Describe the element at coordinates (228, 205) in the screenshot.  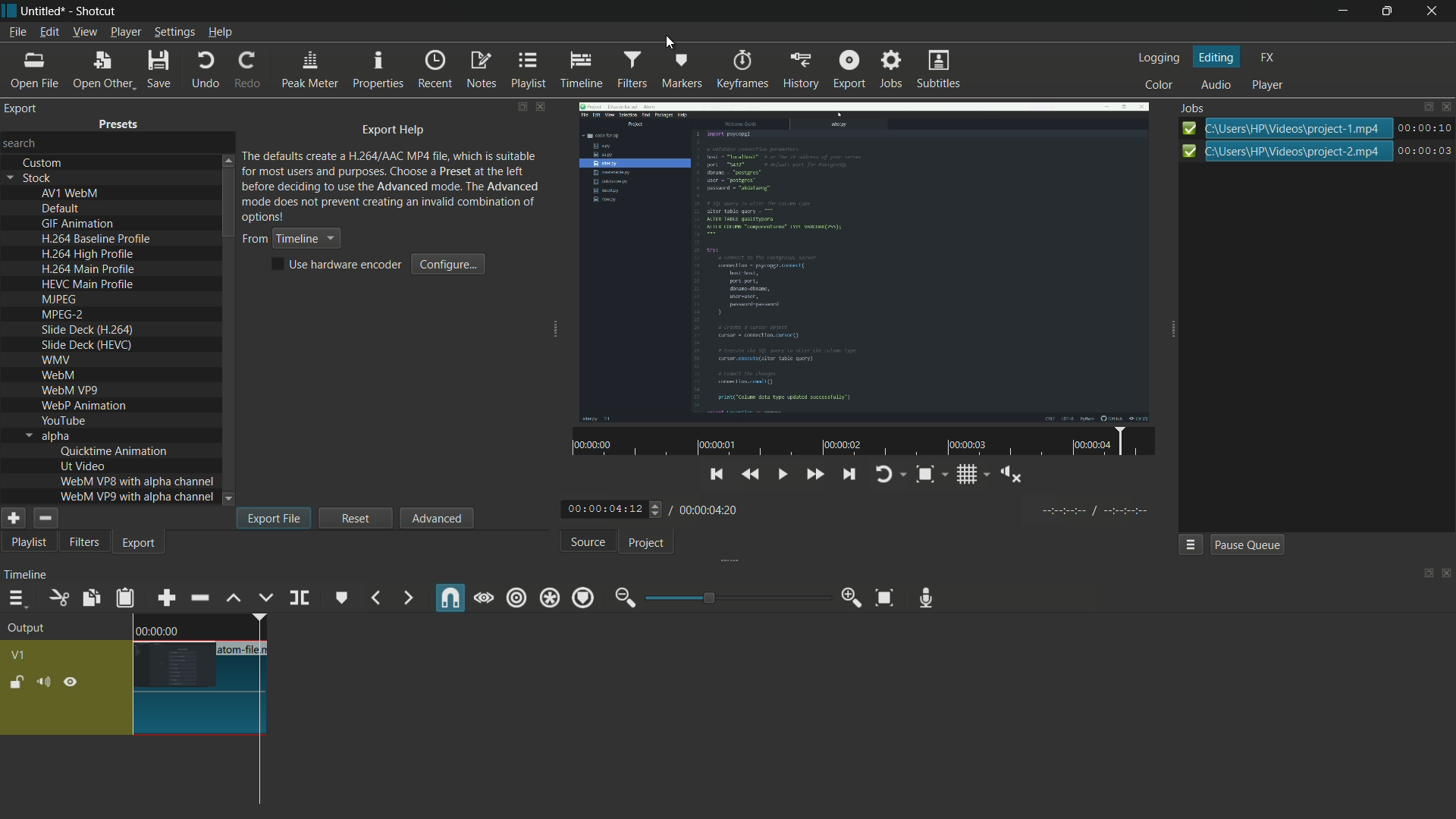
I see `scroll bar` at that location.